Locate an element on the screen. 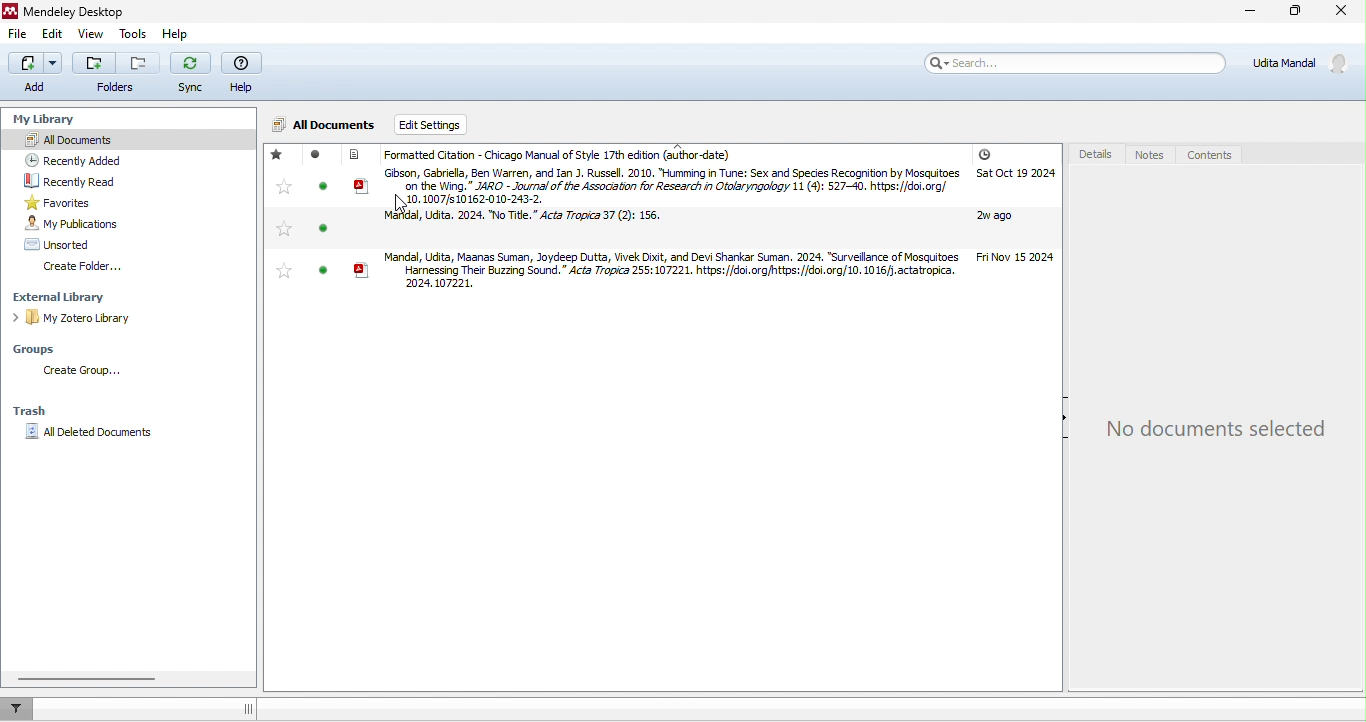 The image size is (1366, 722). unsorted is located at coordinates (69, 245).